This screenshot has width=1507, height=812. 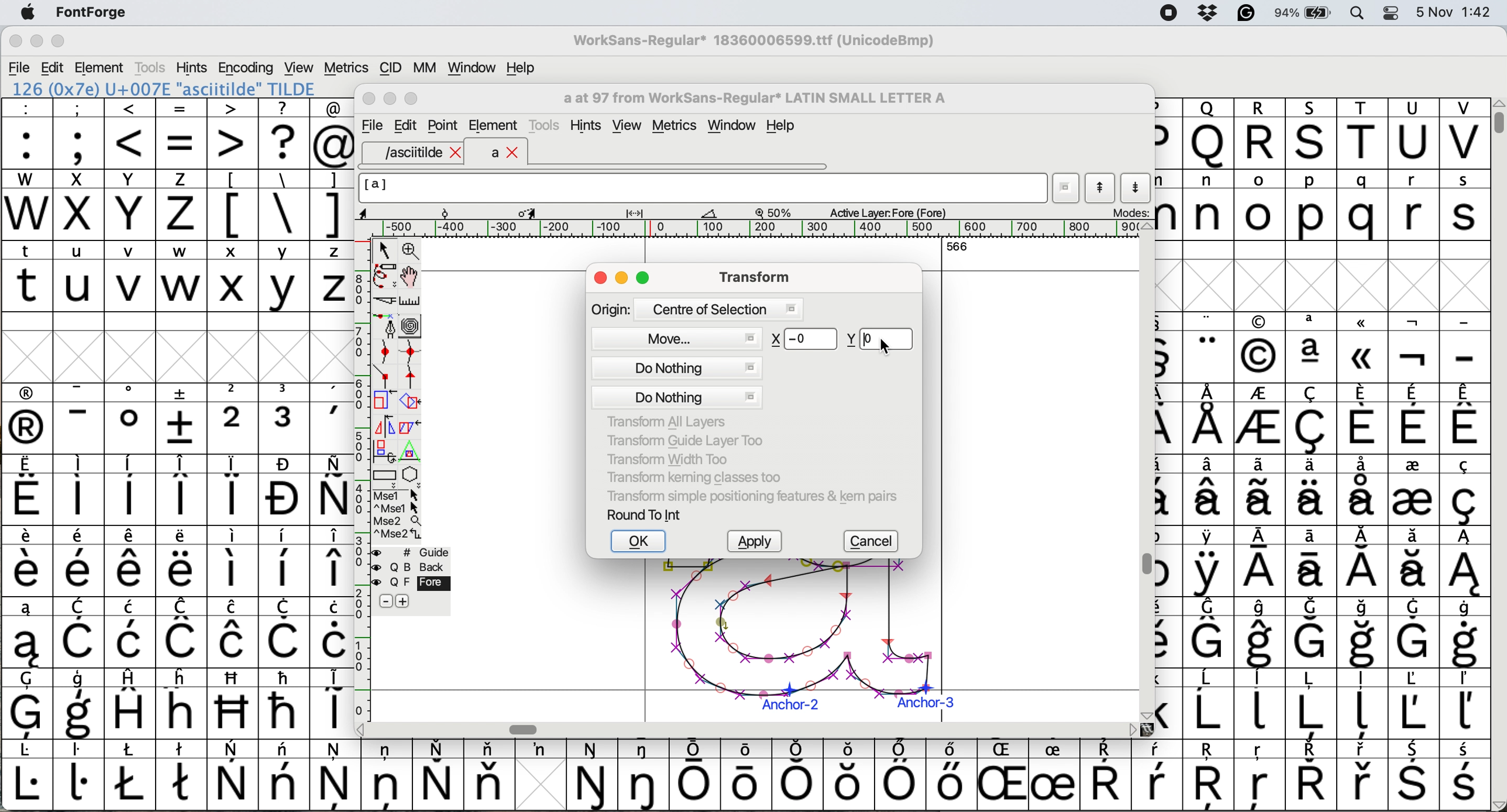 I want to click on symbol, so click(x=1463, y=704).